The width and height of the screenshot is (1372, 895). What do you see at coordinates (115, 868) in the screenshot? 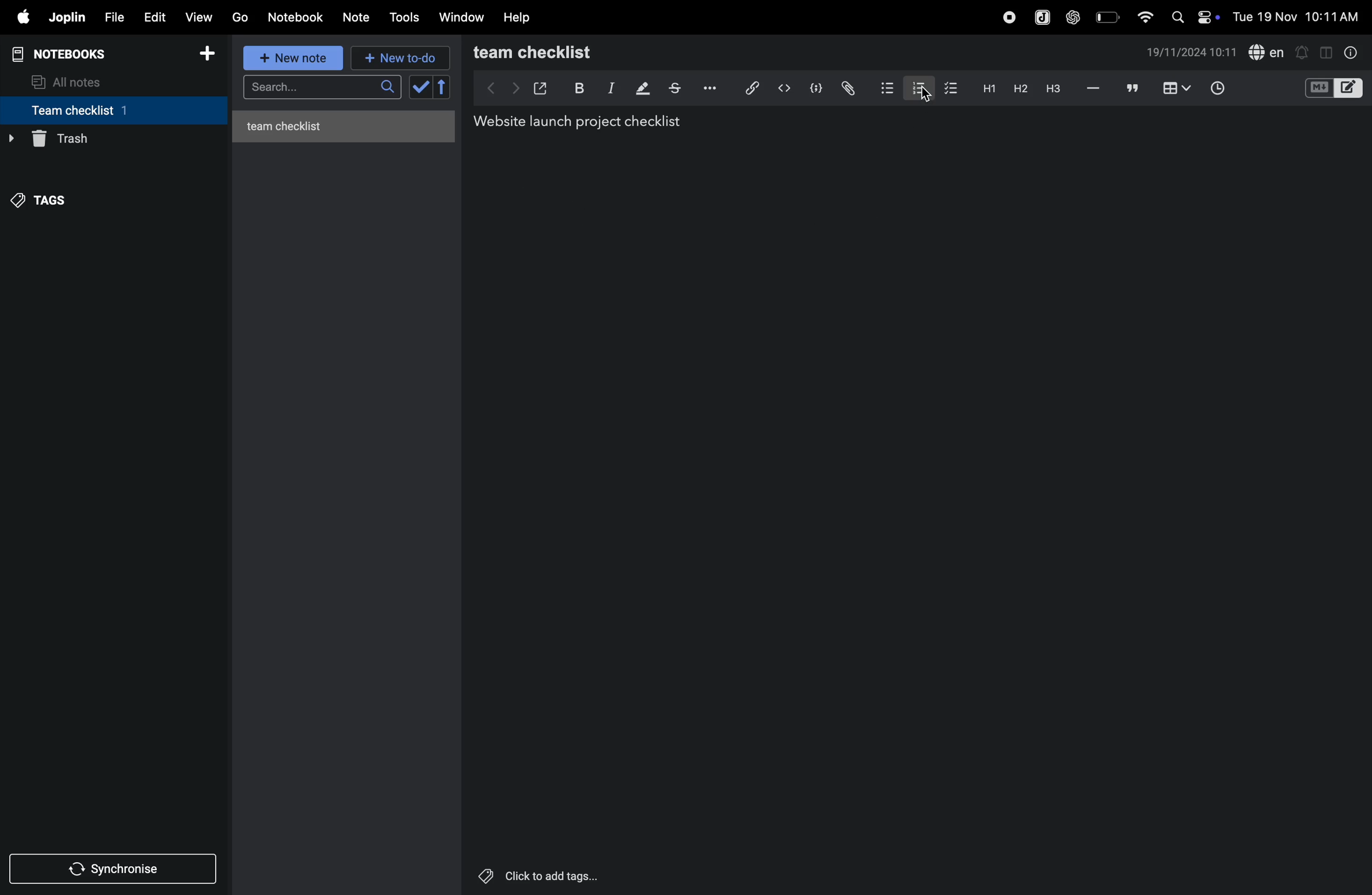
I see `synchronize` at bounding box center [115, 868].